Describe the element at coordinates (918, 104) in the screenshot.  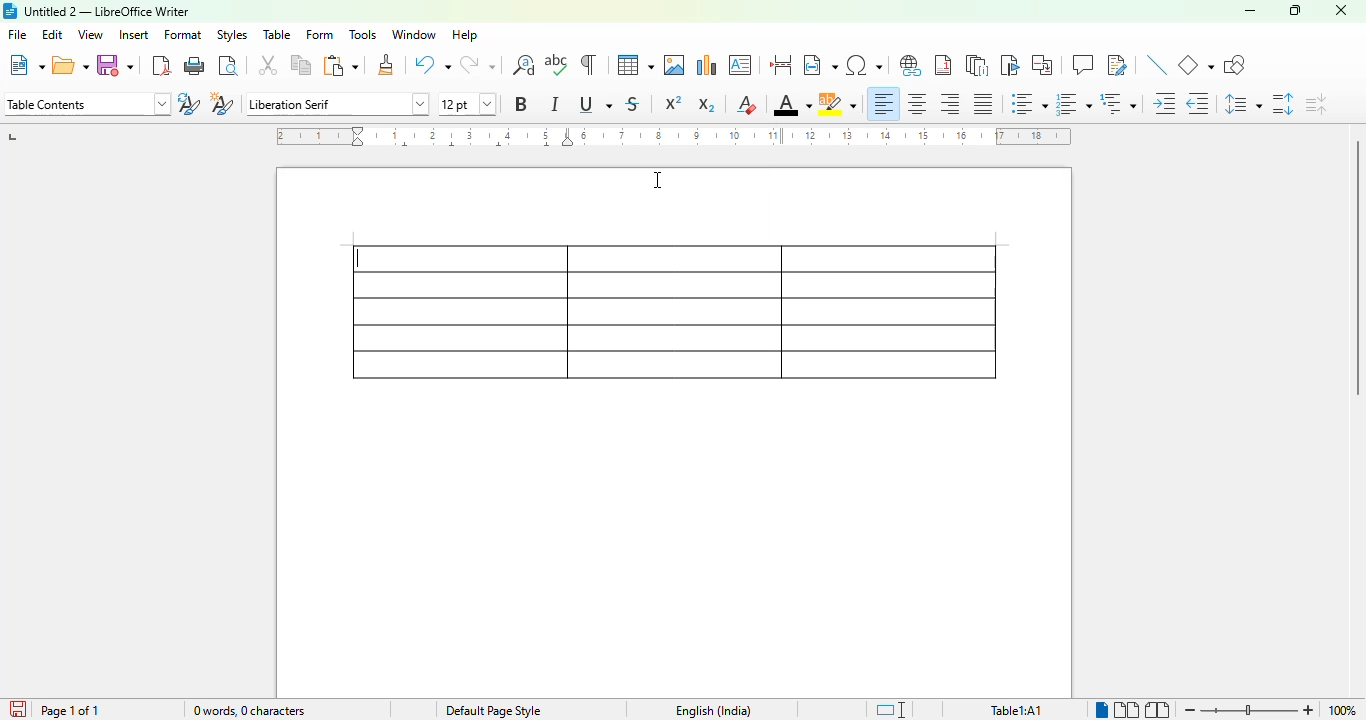
I see `align center` at that location.